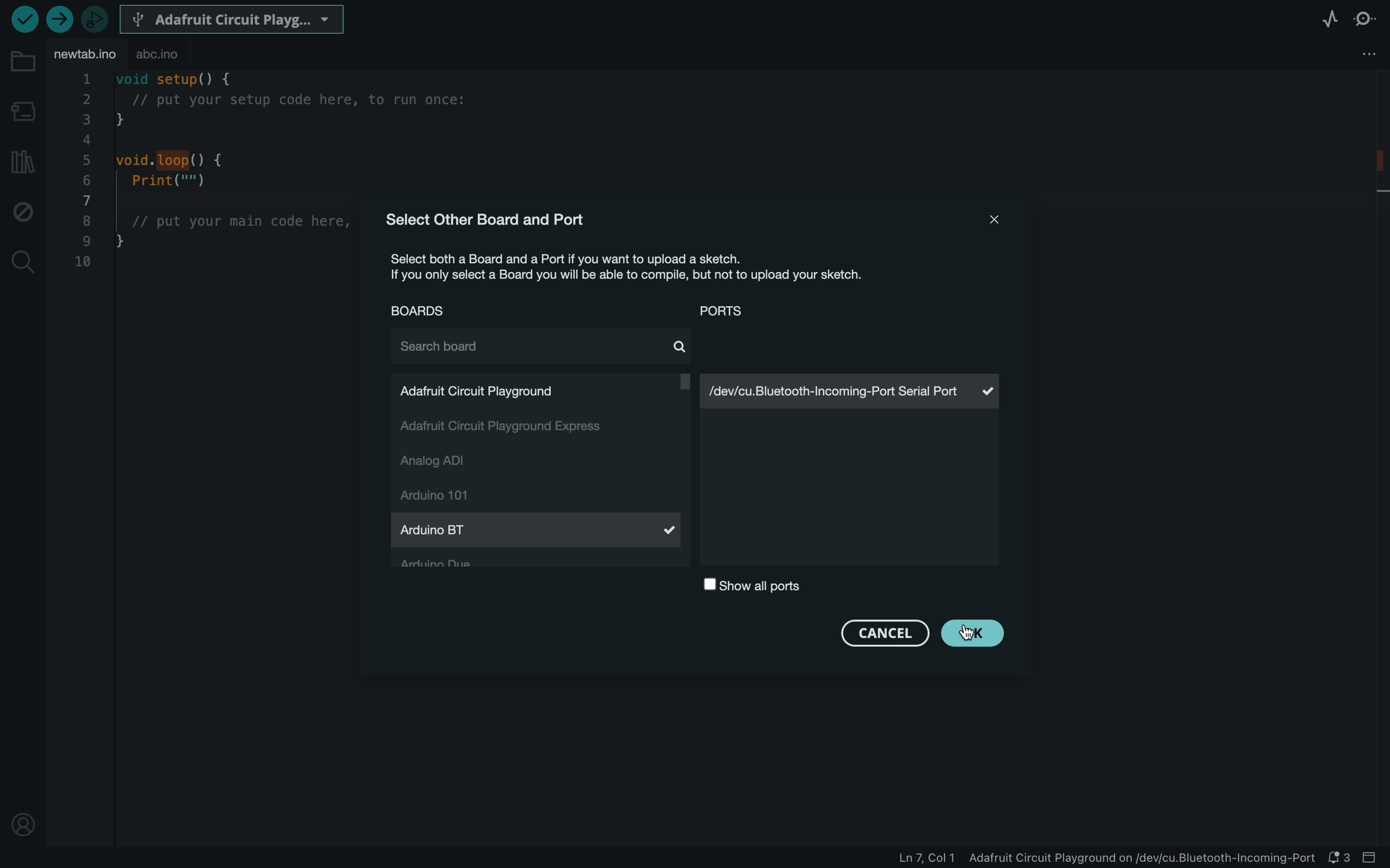 The image size is (1390, 868). What do you see at coordinates (535, 528) in the screenshot?
I see `arduino Bt` at bounding box center [535, 528].